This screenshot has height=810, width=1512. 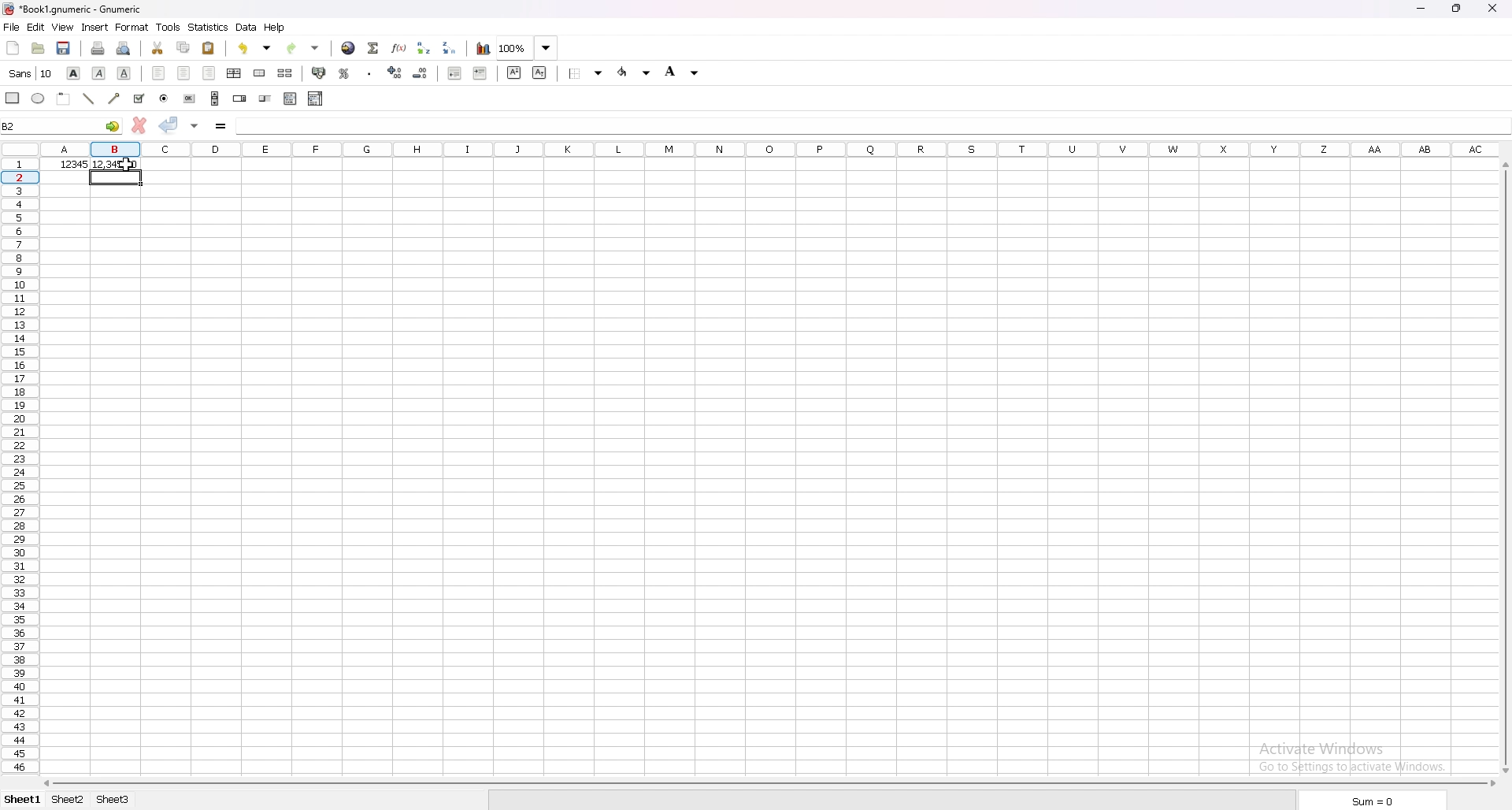 What do you see at coordinates (183, 48) in the screenshot?
I see `copy` at bounding box center [183, 48].